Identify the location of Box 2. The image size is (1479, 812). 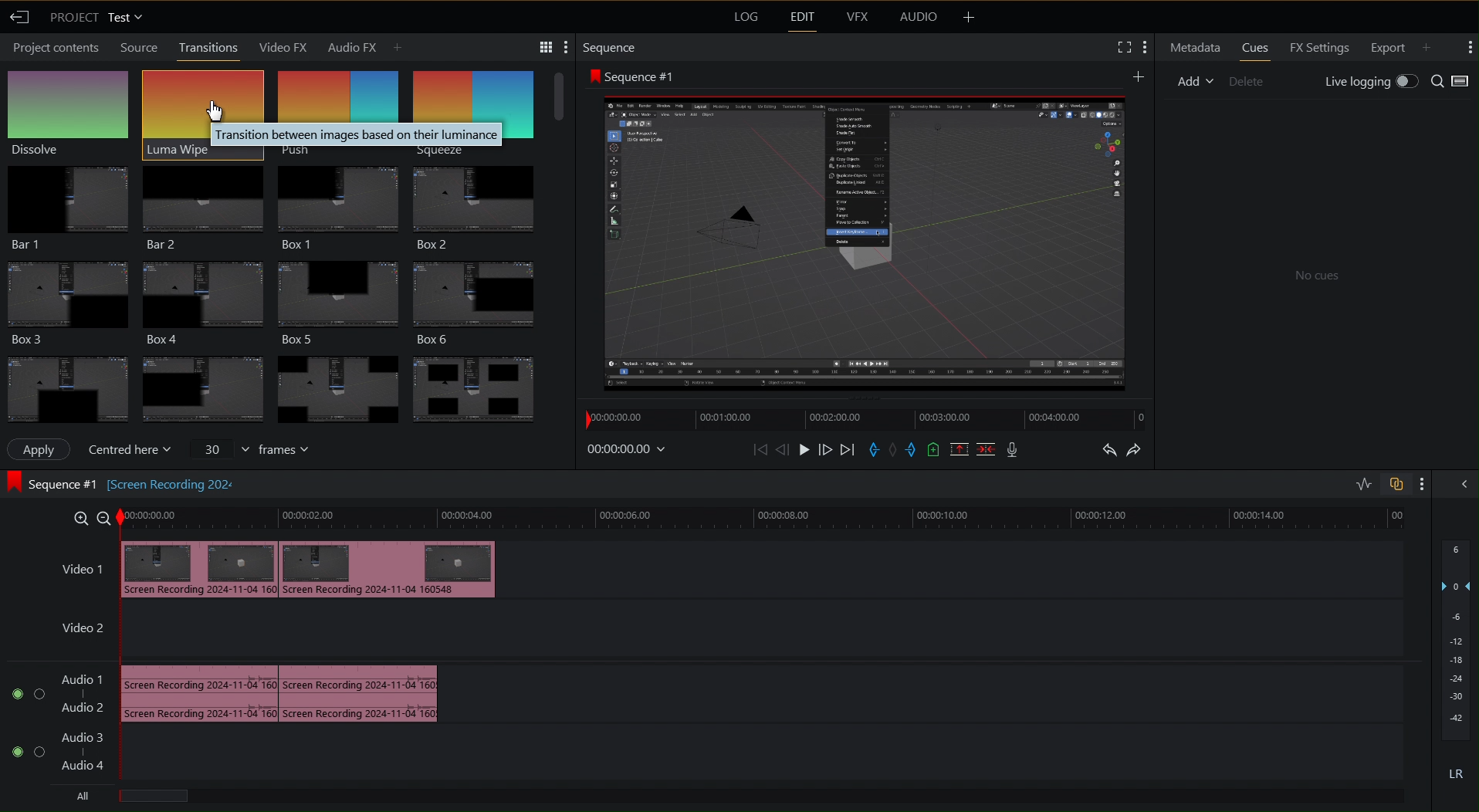
(481, 205).